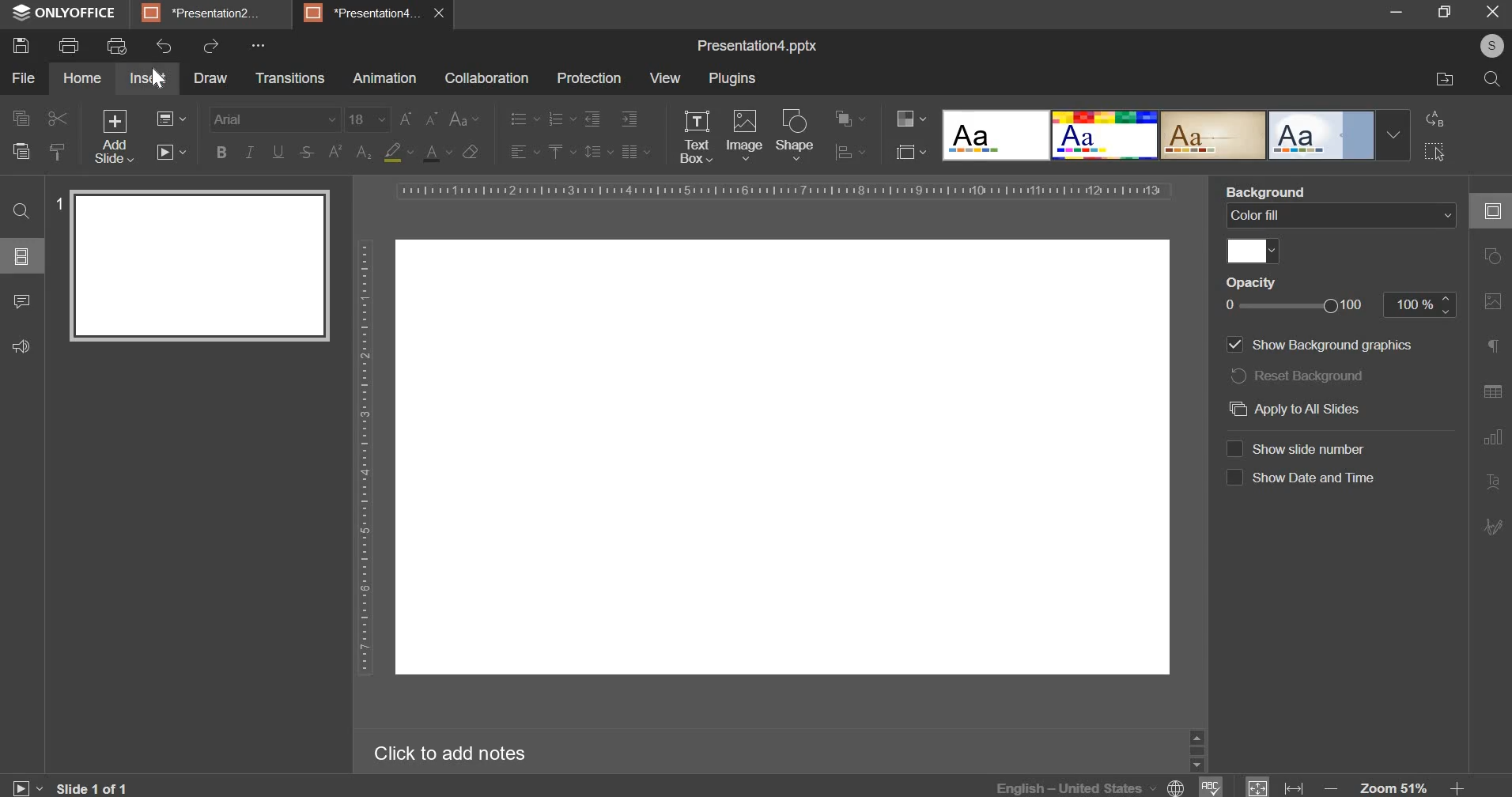 This screenshot has height=797, width=1512. I want to click on text color, so click(437, 153).